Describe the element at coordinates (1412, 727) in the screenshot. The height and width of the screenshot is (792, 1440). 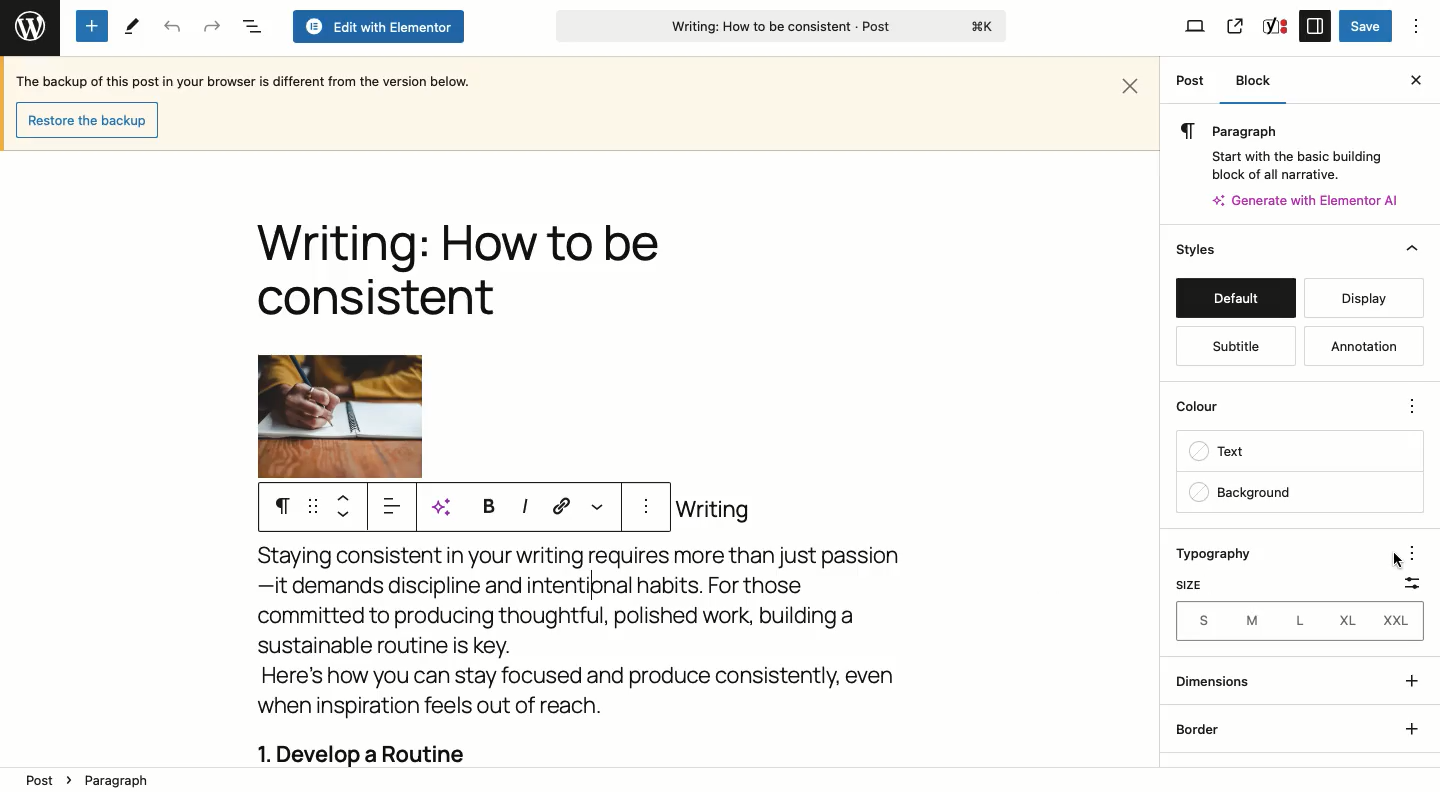
I see `+` at that location.